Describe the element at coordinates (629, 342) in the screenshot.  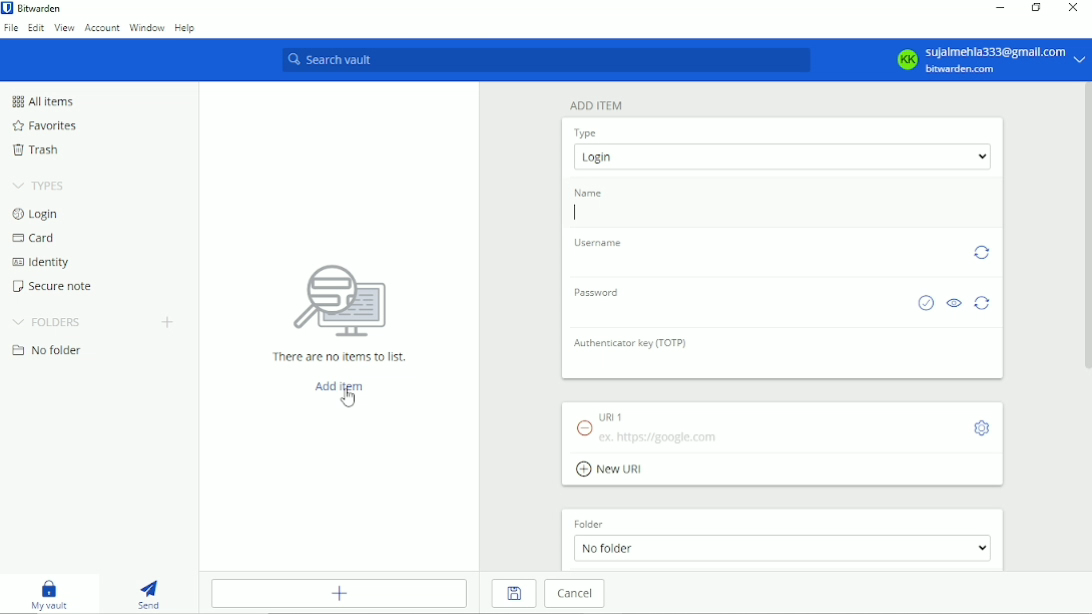
I see `Authenticator key (TOTP)` at that location.